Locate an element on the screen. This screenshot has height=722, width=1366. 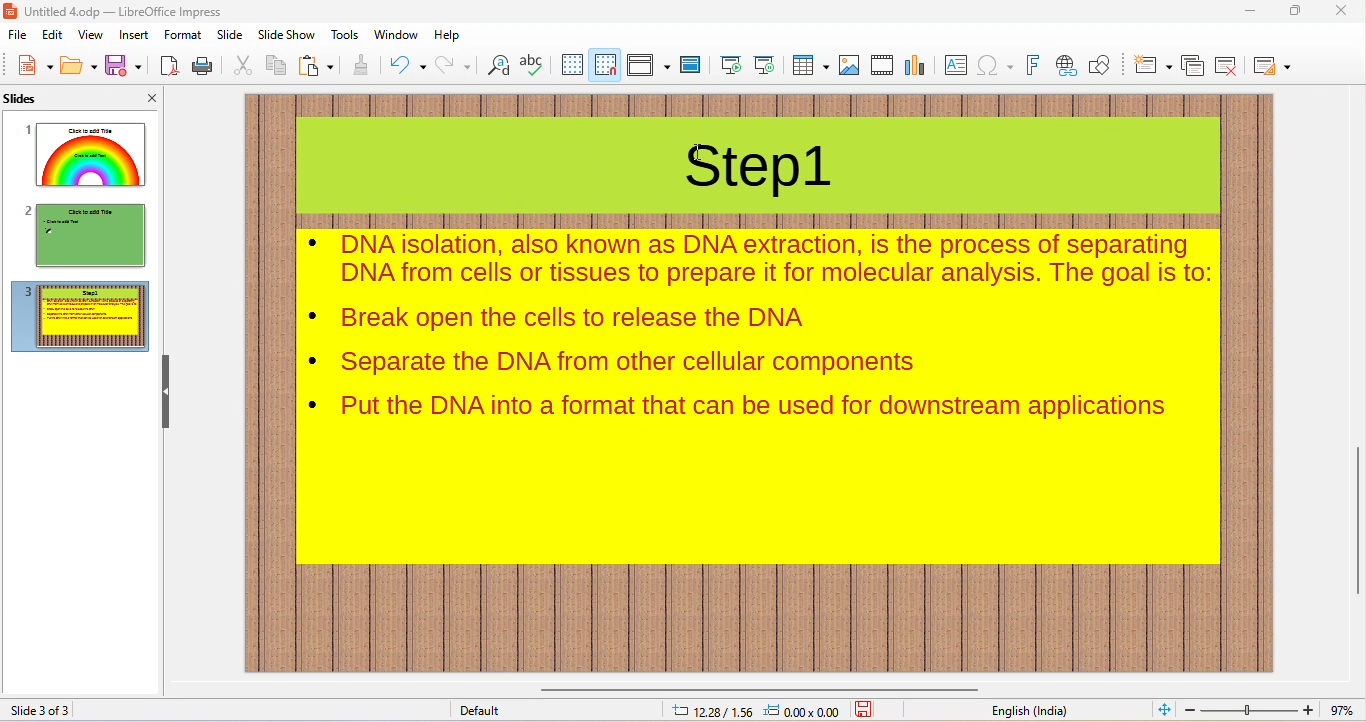
save is located at coordinates (124, 67).